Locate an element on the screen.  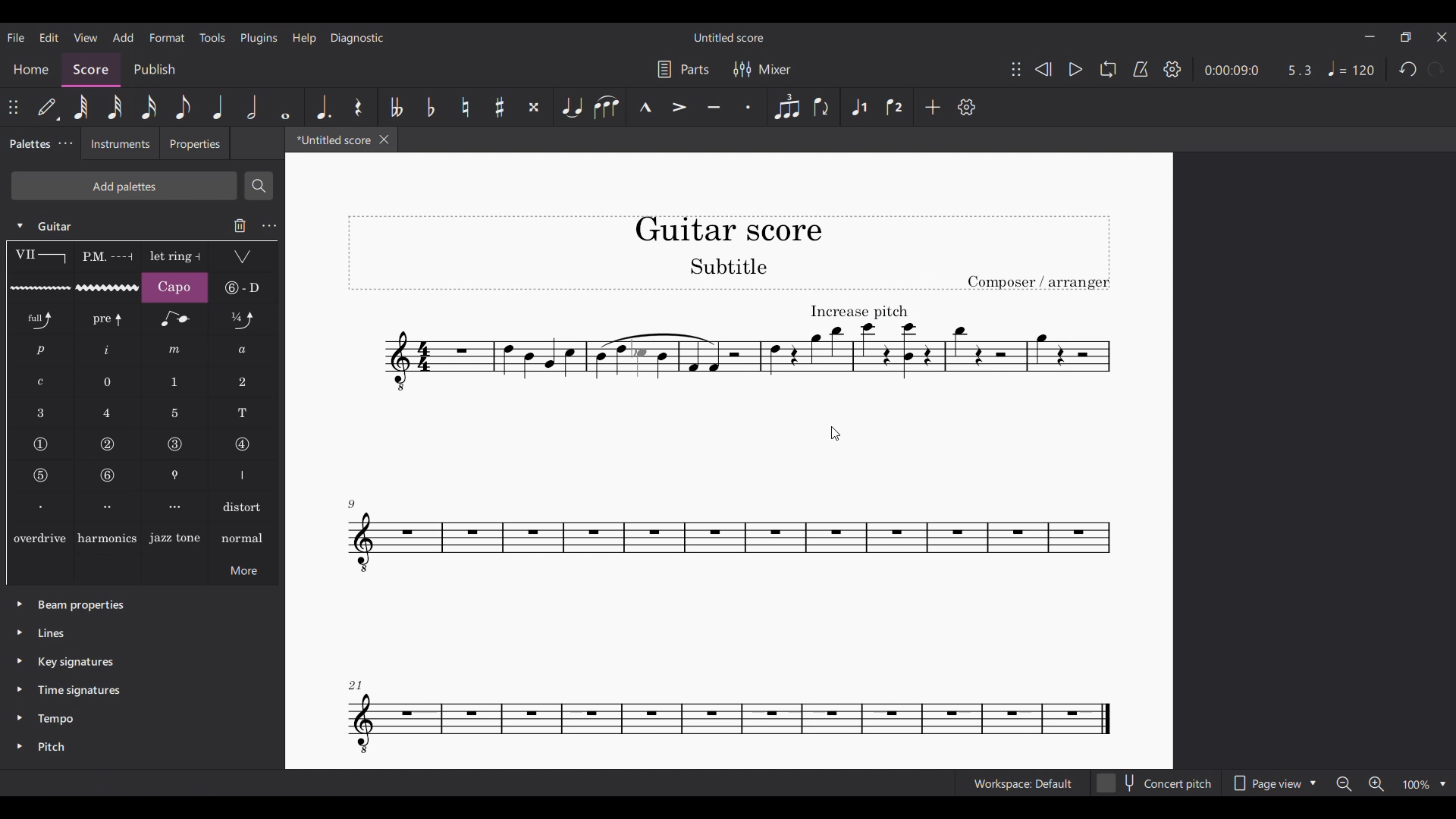
String number 1 is located at coordinates (40, 444).